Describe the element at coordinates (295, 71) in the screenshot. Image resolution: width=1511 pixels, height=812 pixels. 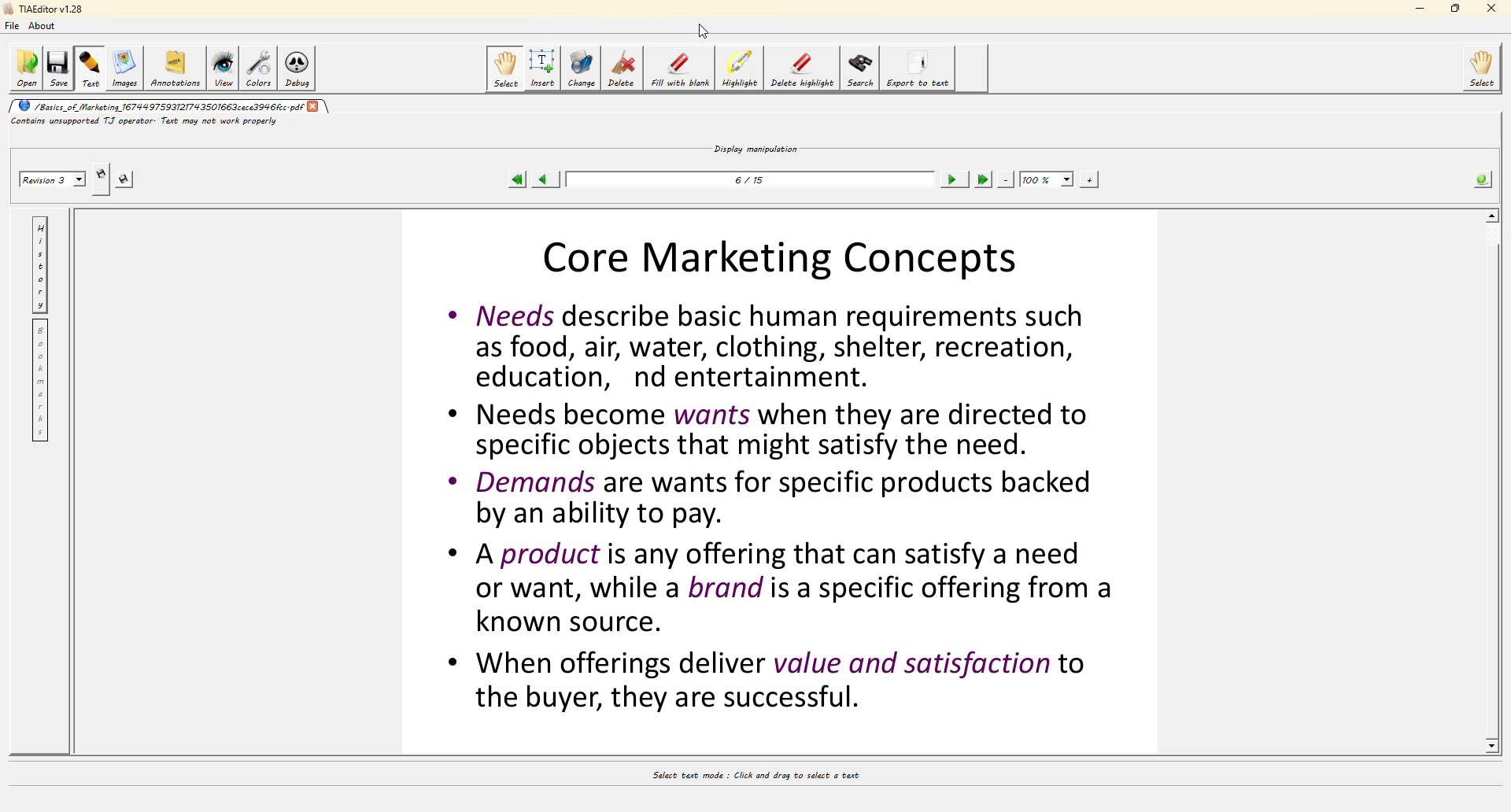
I see `debug` at that location.